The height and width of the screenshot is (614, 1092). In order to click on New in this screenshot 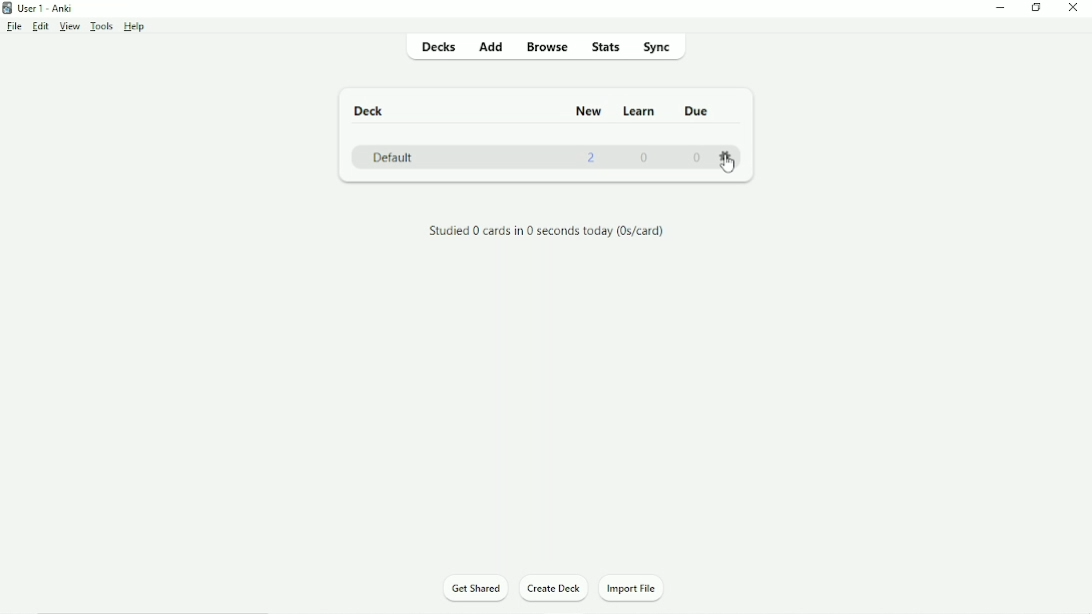, I will do `click(588, 111)`.